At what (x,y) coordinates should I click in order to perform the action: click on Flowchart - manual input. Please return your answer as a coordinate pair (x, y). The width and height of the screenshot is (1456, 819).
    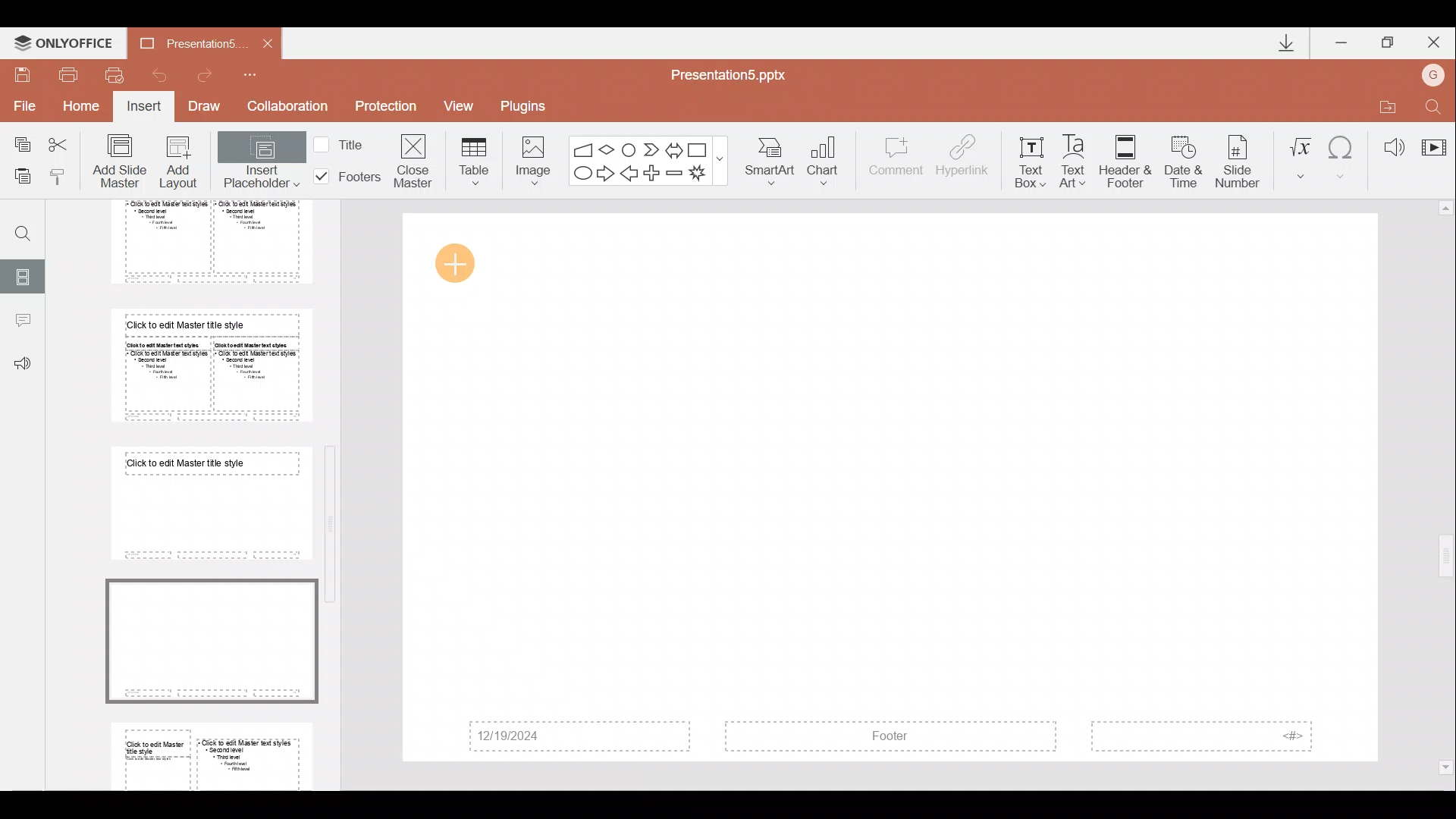
    Looking at the image, I should click on (582, 147).